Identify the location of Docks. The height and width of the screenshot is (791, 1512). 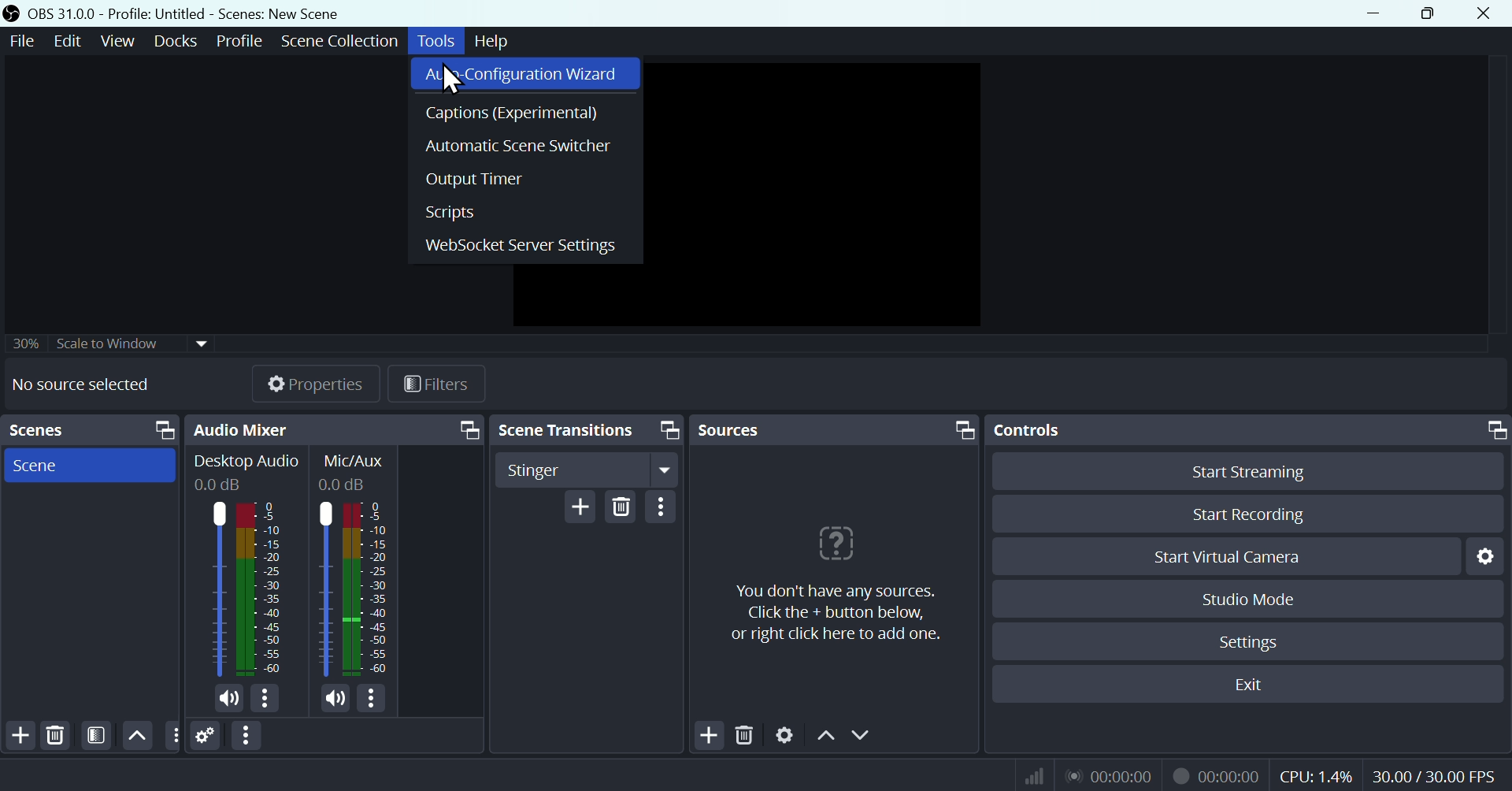
(170, 41).